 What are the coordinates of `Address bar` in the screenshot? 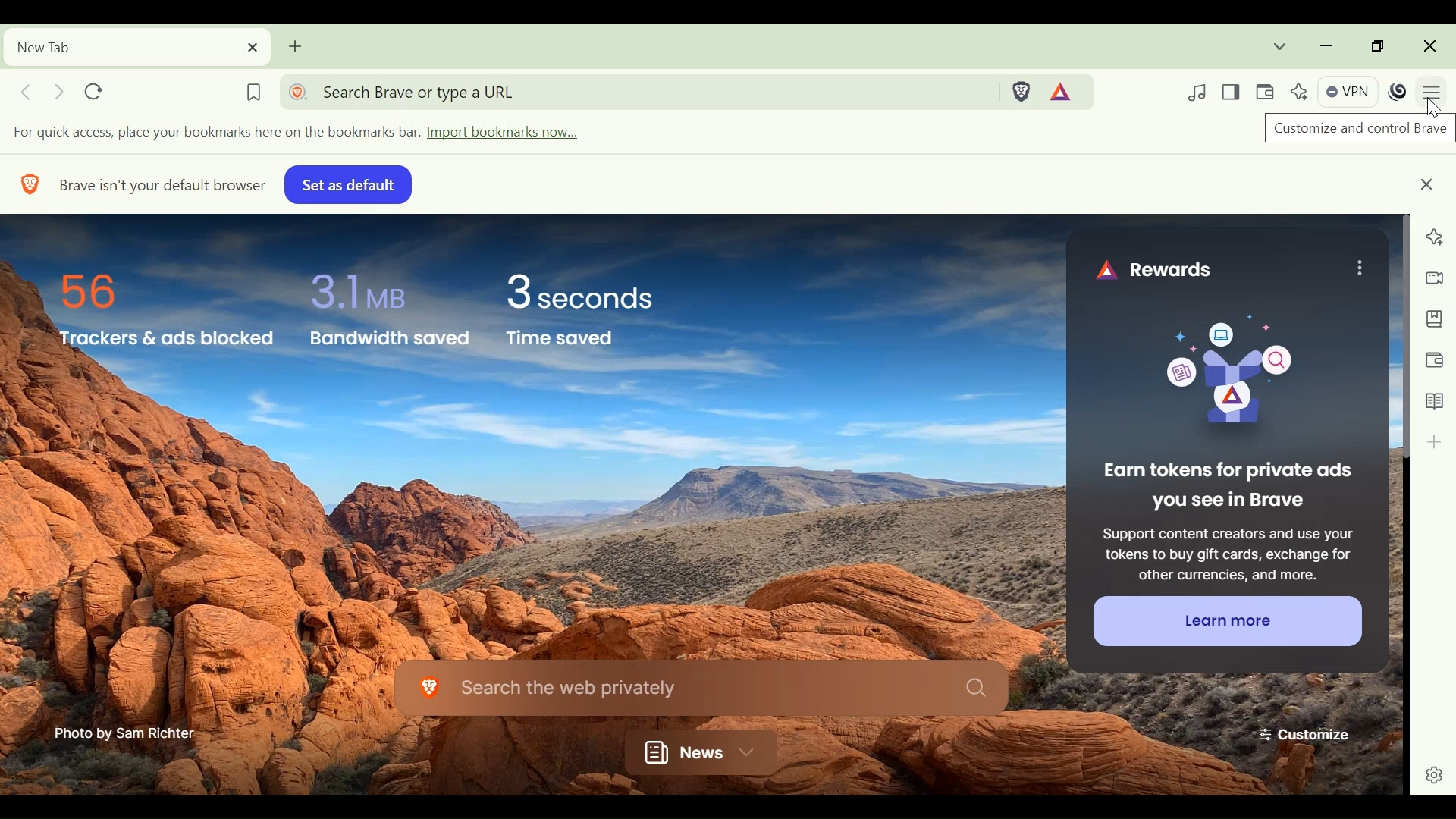 It's located at (639, 90).